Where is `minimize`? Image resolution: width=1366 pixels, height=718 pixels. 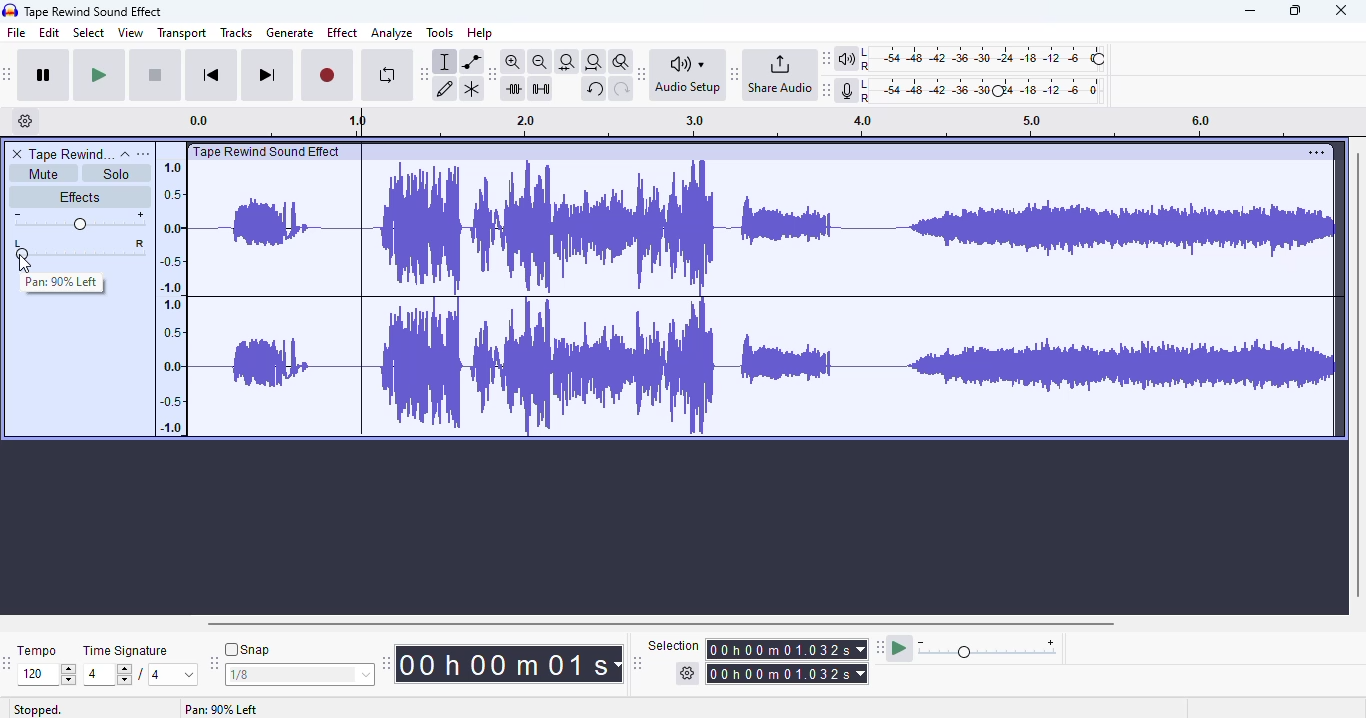
minimize is located at coordinates (1250, 10).